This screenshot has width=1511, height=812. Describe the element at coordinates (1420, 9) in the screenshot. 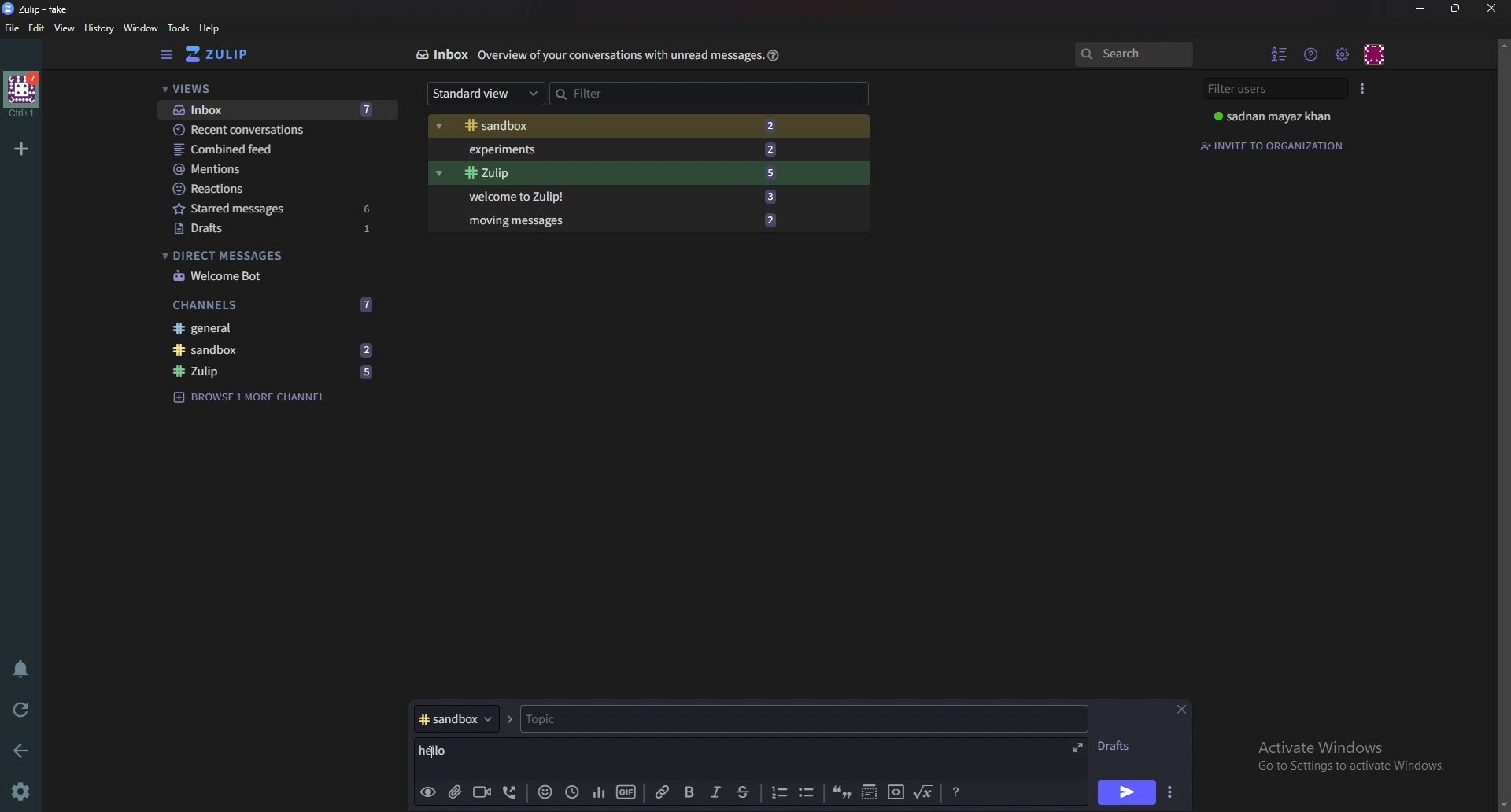

I see `Minimize` at that location.